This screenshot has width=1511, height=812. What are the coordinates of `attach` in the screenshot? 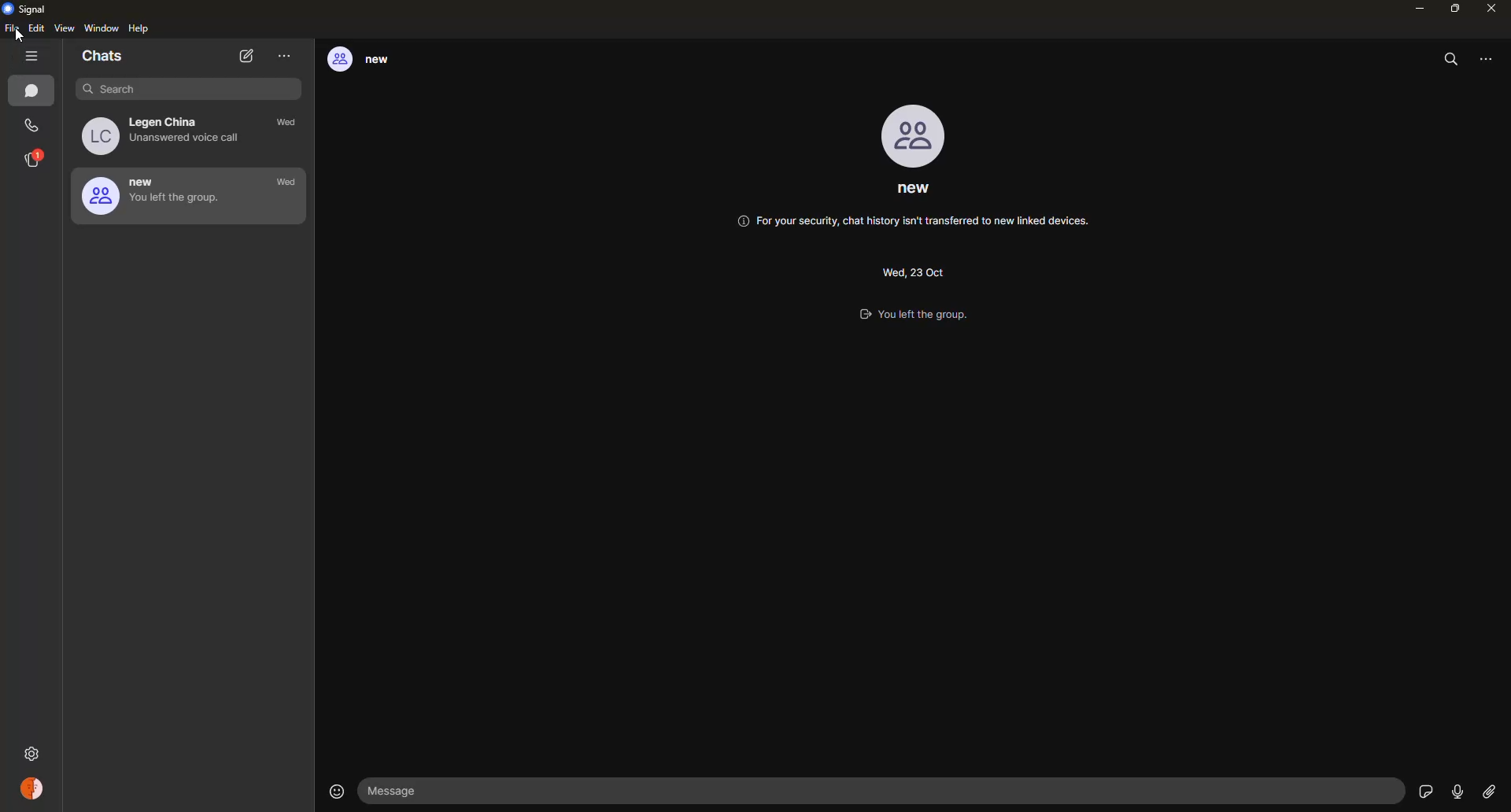 It's located at (1488, 792).